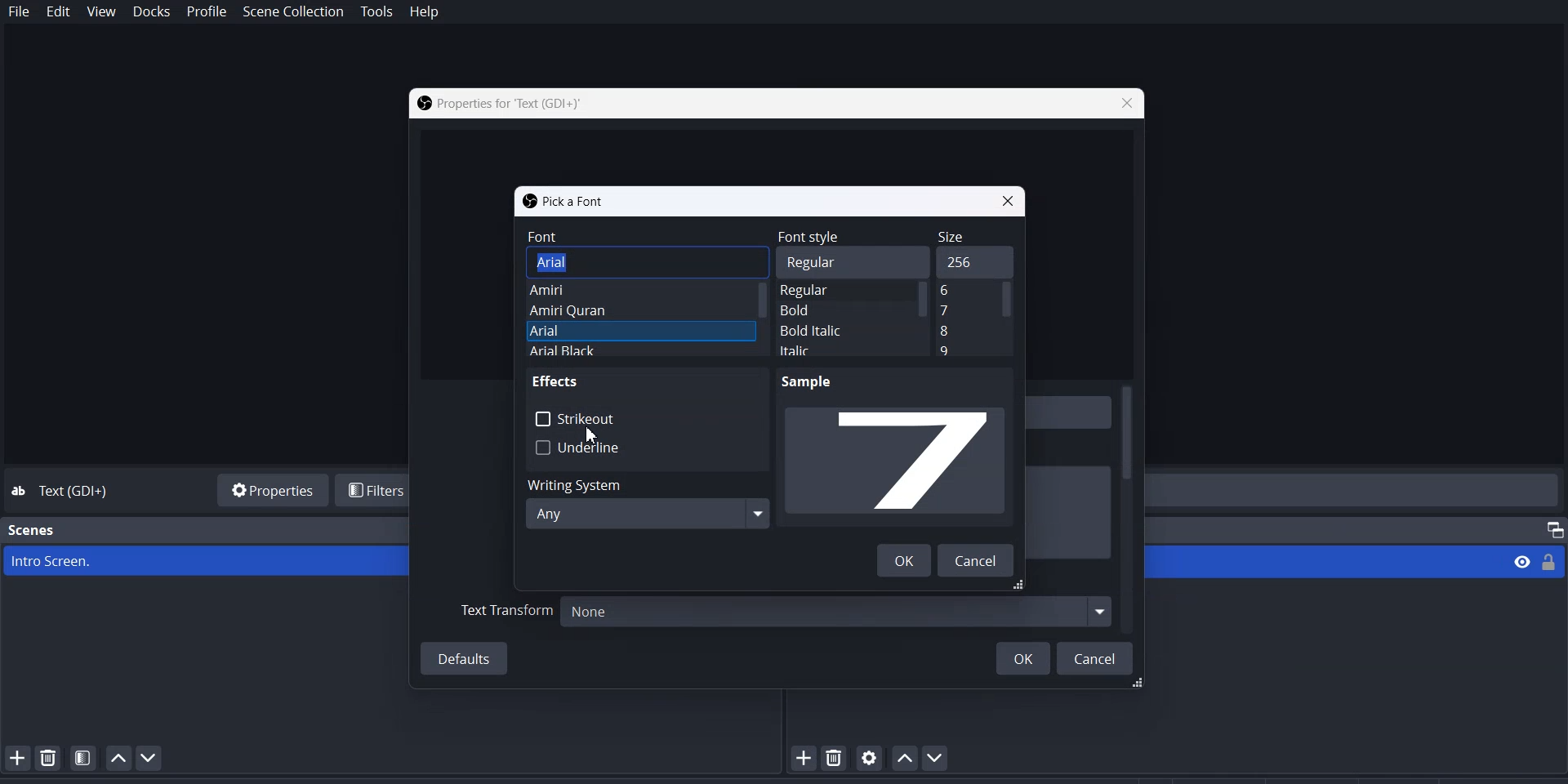 The height and width of the screenshot is (784, 1568). I want to click on Sample preview, so click(899, 446).